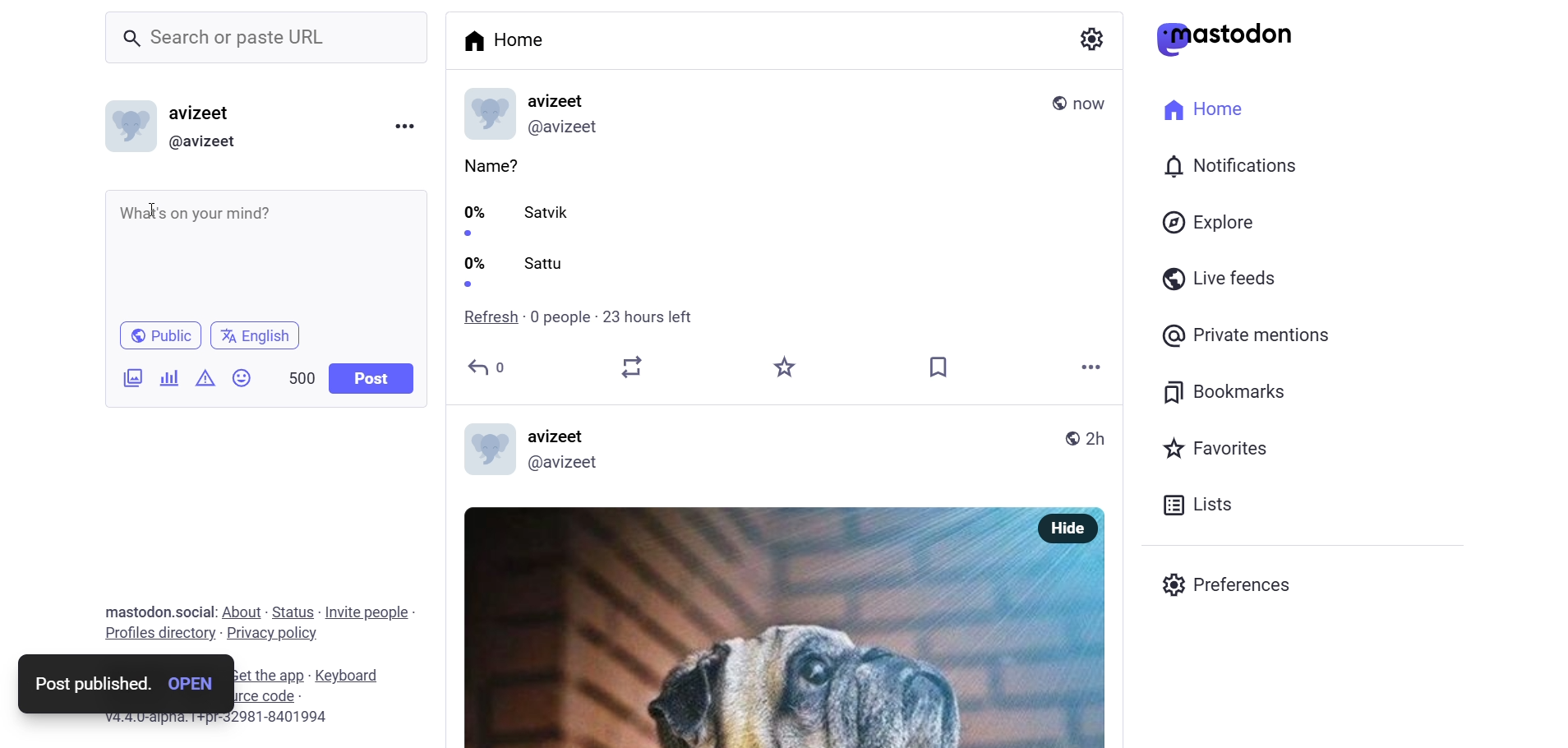  What do you see at coordinates (548, 263) in the screenshot?
I see `sattu` at bounding box center [548, 263].